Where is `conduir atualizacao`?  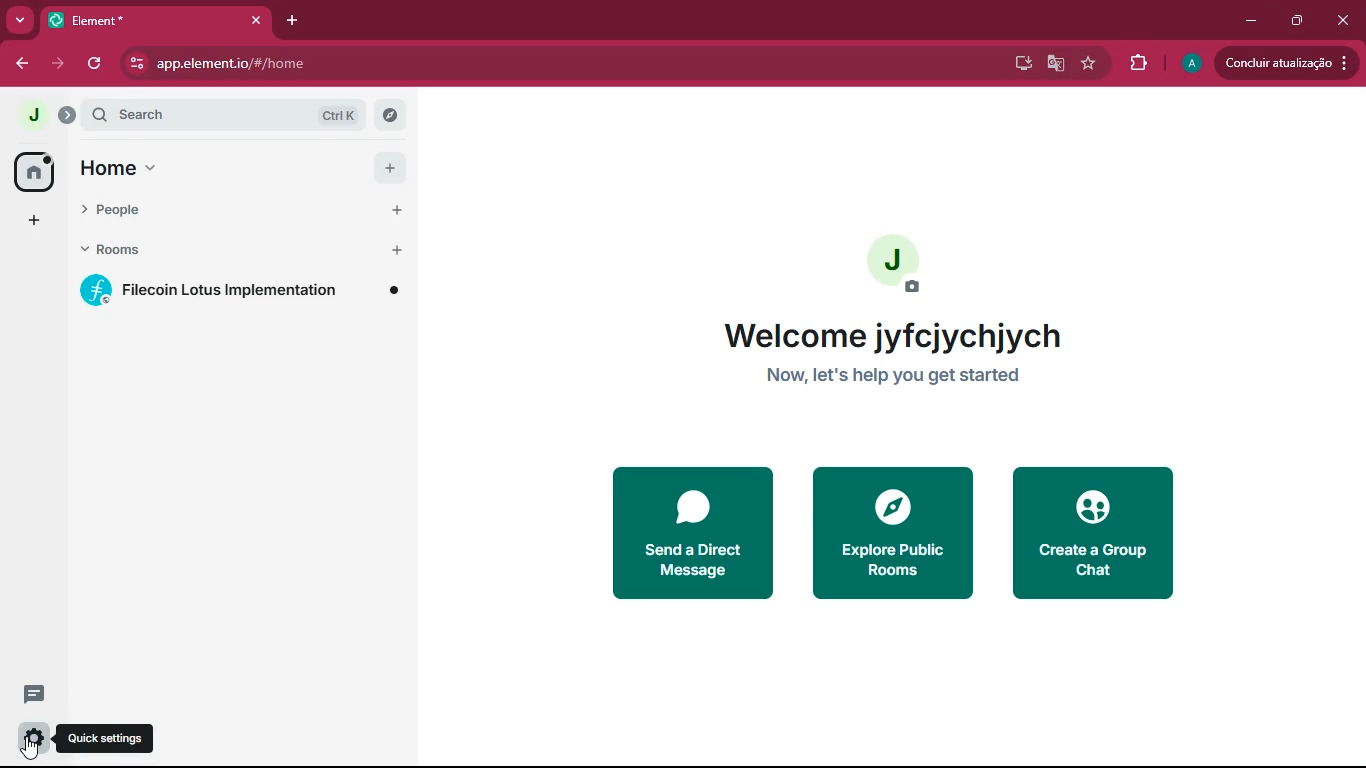 conduir atualizacao is located at coordinates (1287, 63).